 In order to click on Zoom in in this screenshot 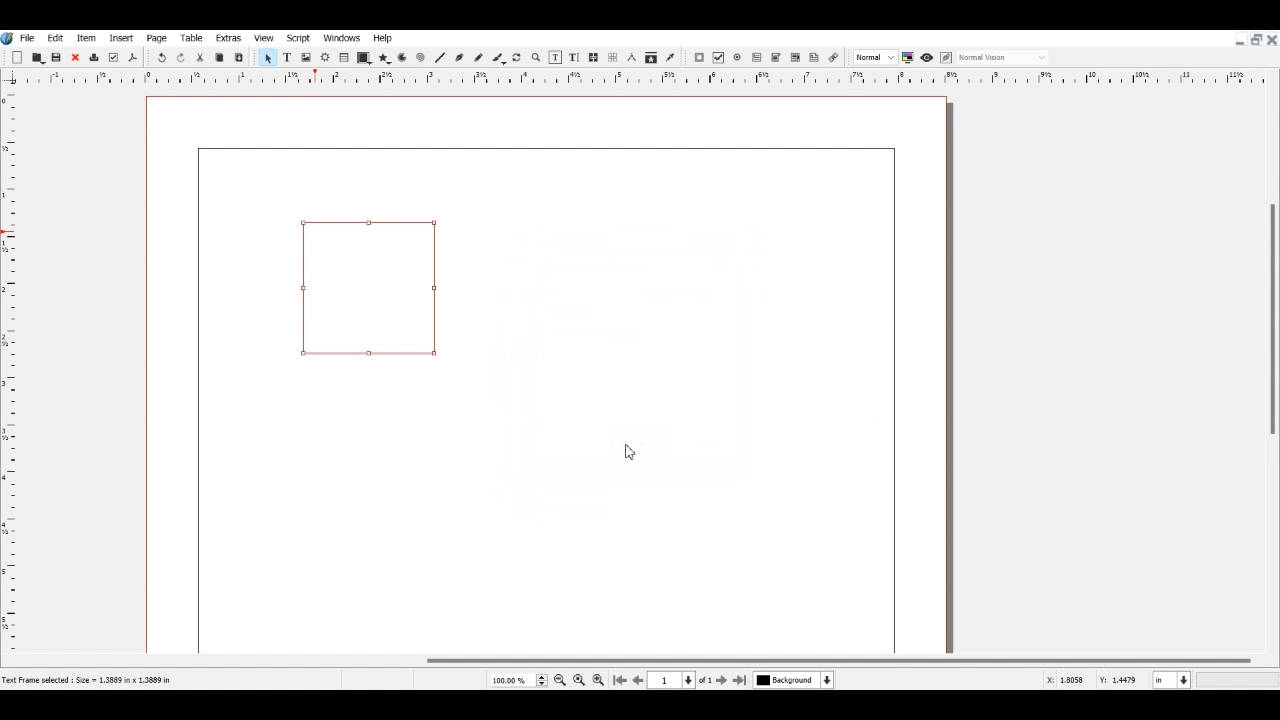, I will do `click(598, 679)`.